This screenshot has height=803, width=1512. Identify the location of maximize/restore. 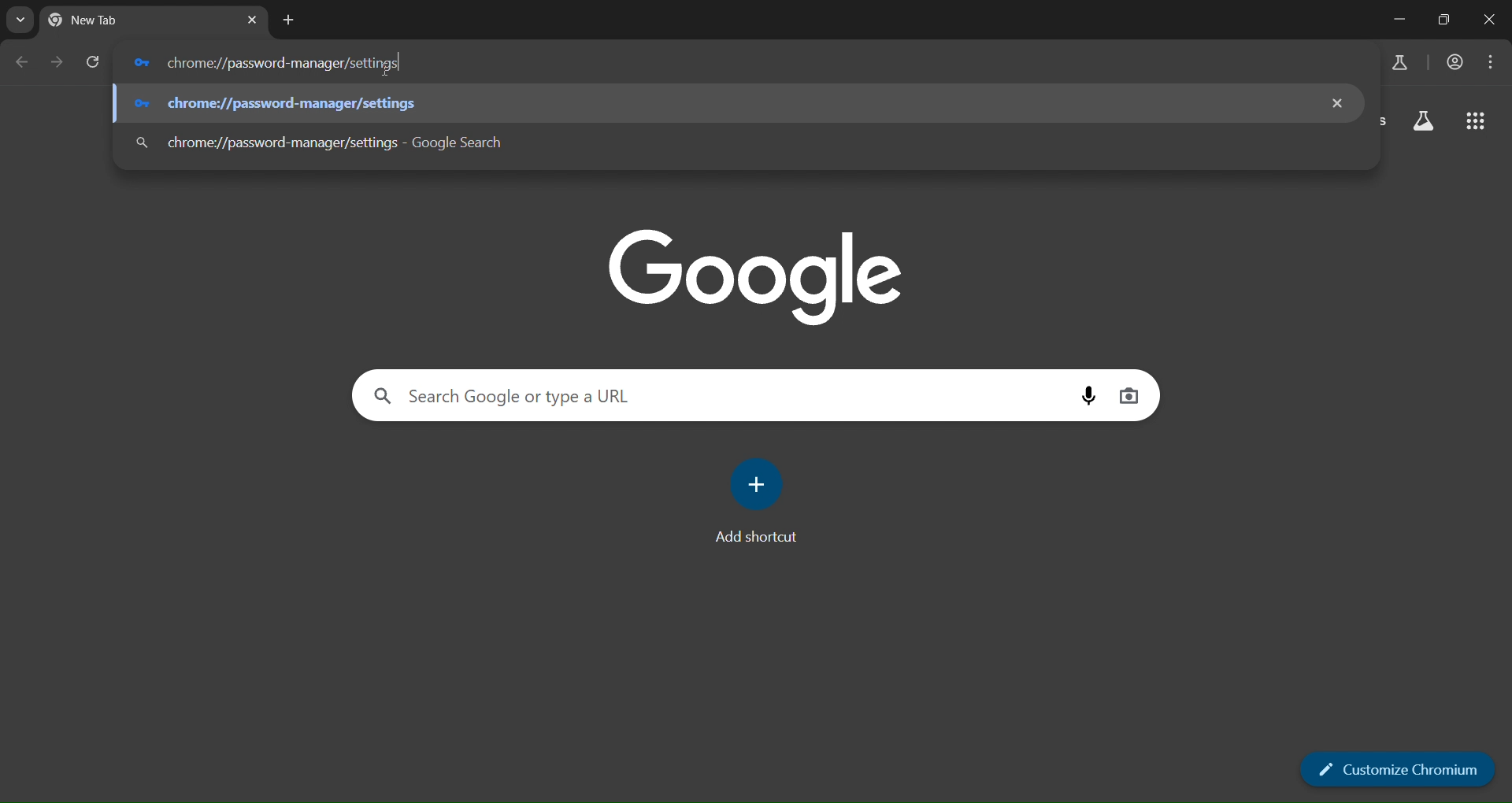
(1441, 19).